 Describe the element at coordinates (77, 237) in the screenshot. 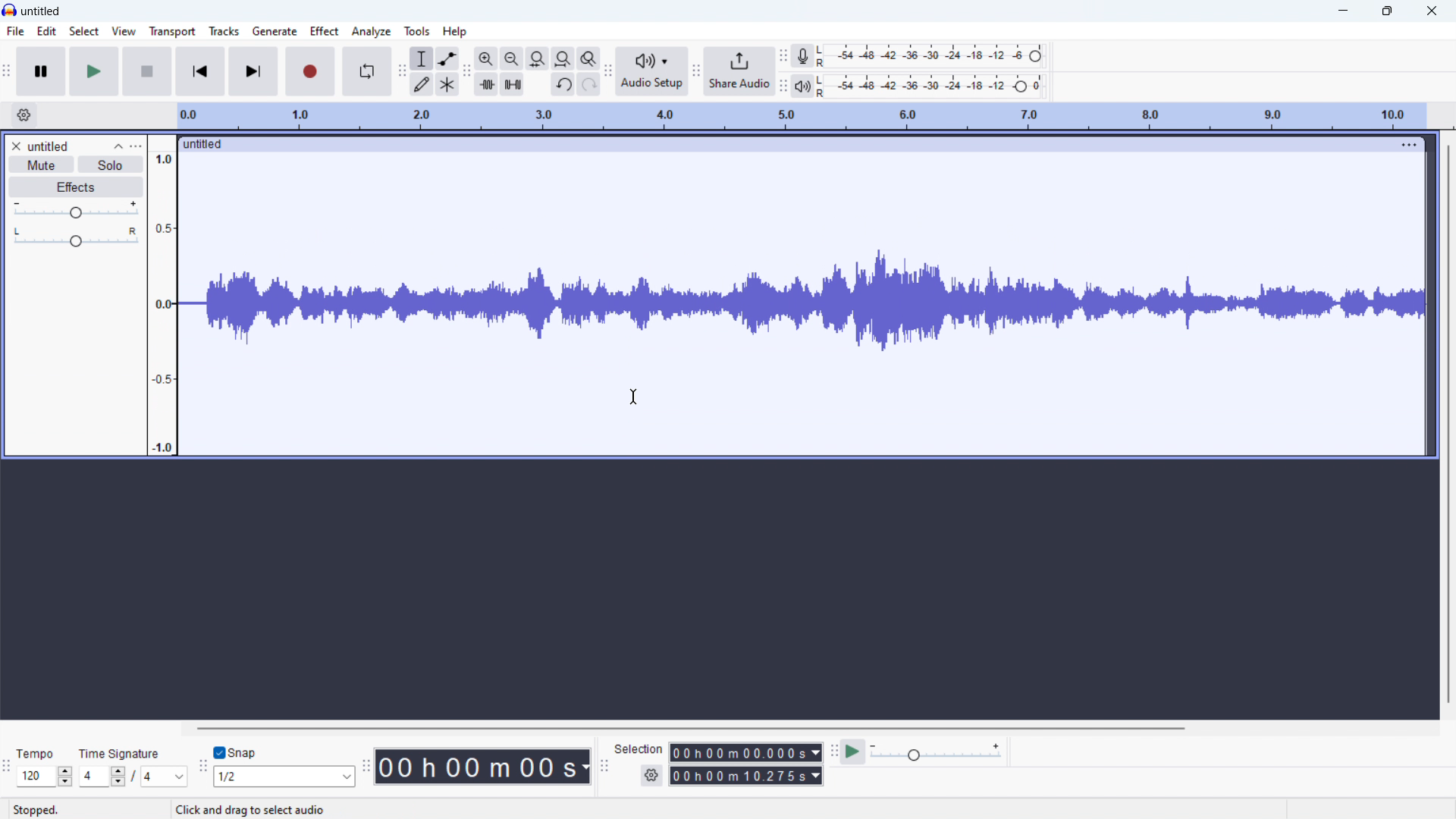

I see `pan` at that location.